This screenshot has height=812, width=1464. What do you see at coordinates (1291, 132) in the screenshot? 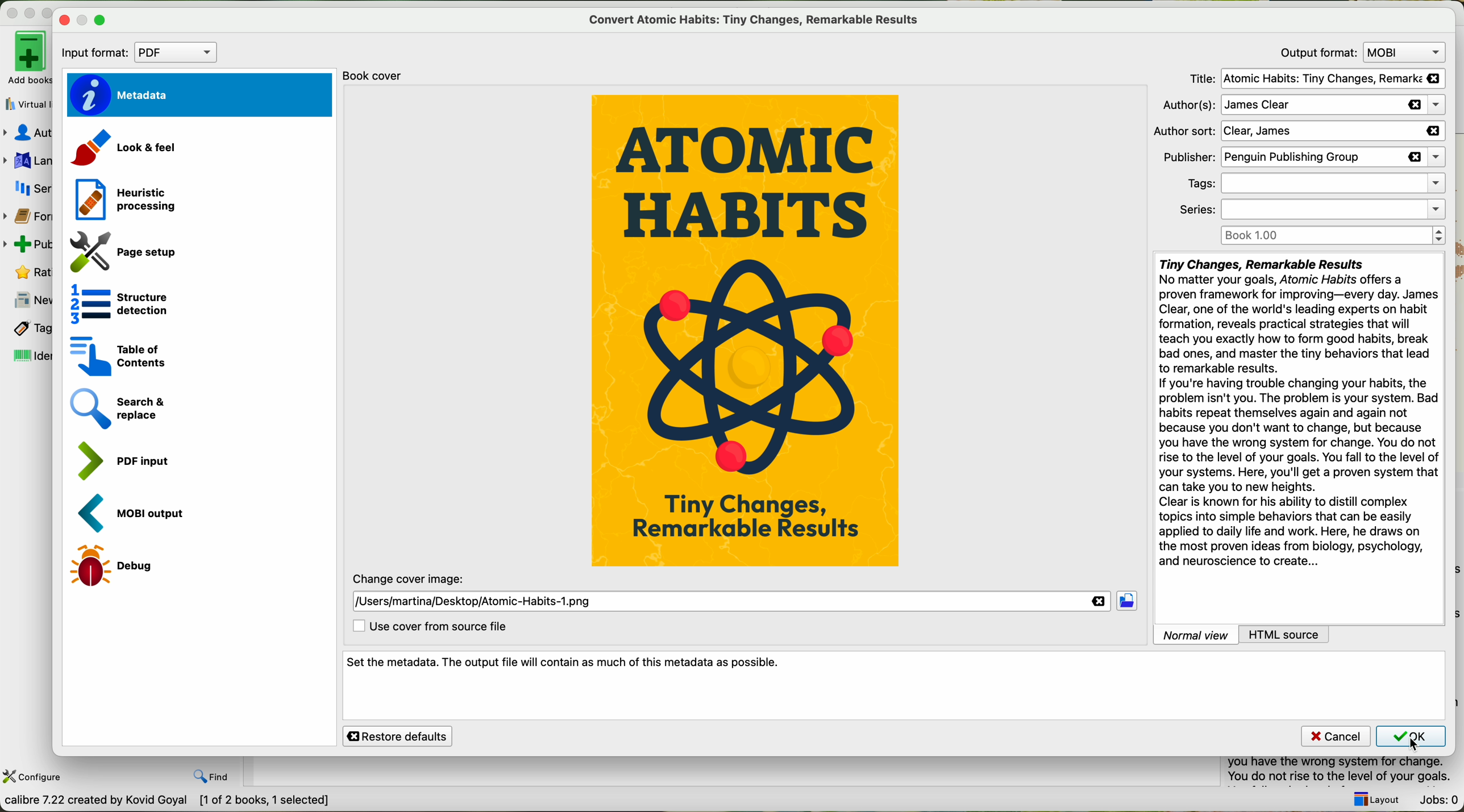
I see `author sort` at bounding box center [1291, 132].